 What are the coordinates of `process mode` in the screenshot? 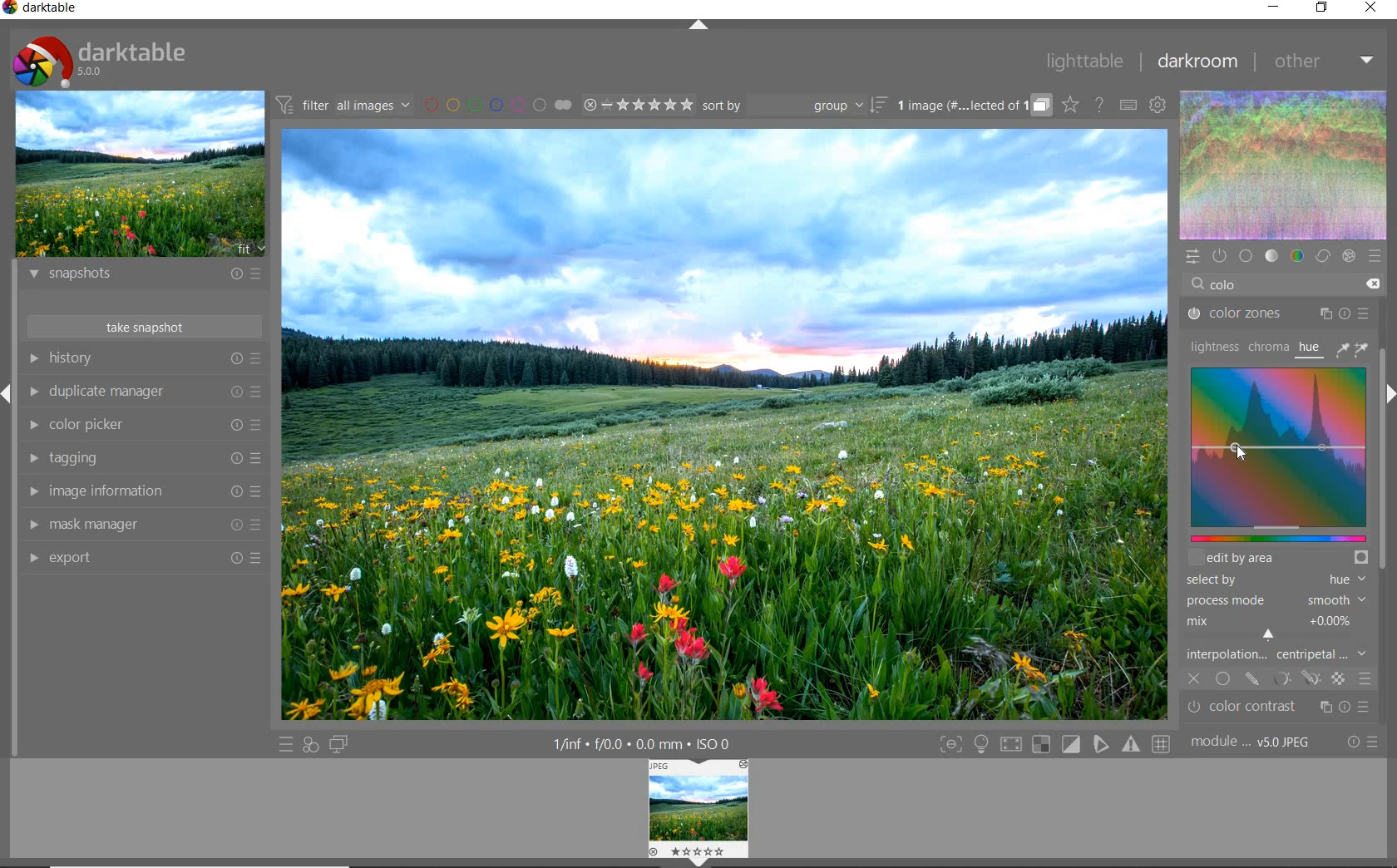 It's located at (1275, 602).